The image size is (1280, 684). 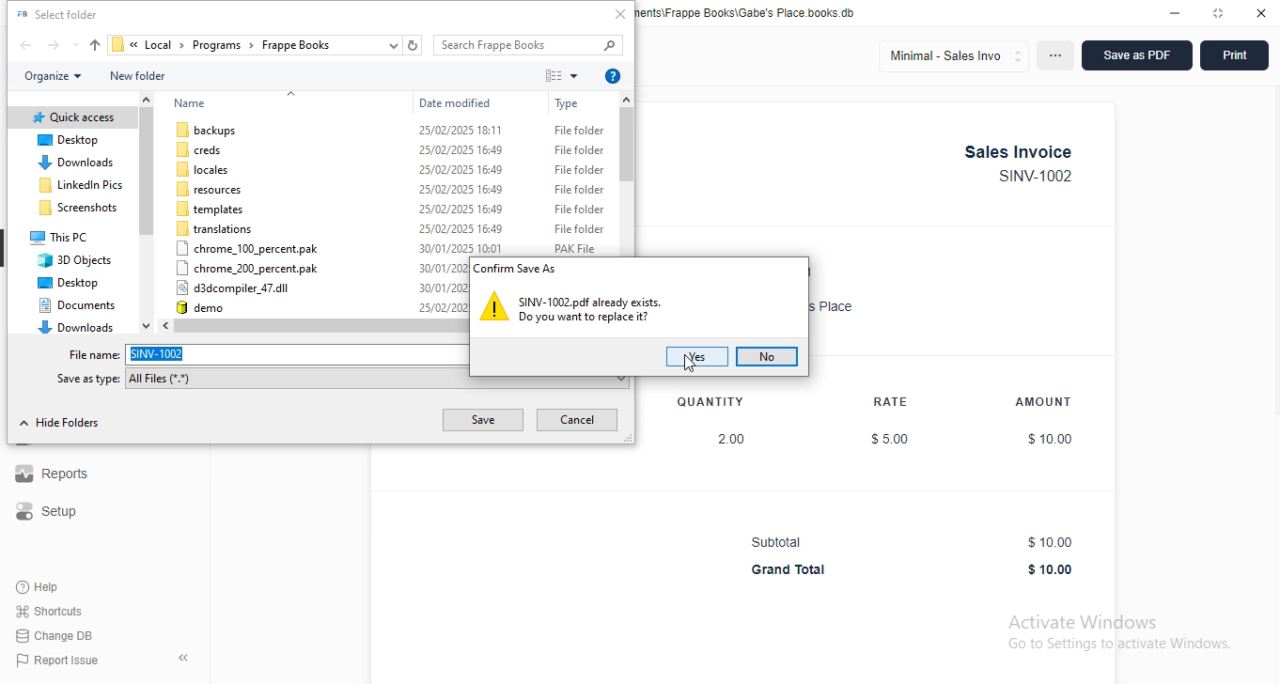 What do you see at coordinates (252, 45) in the screenshot?
I see `drop down` at bounding box center [252, 45].